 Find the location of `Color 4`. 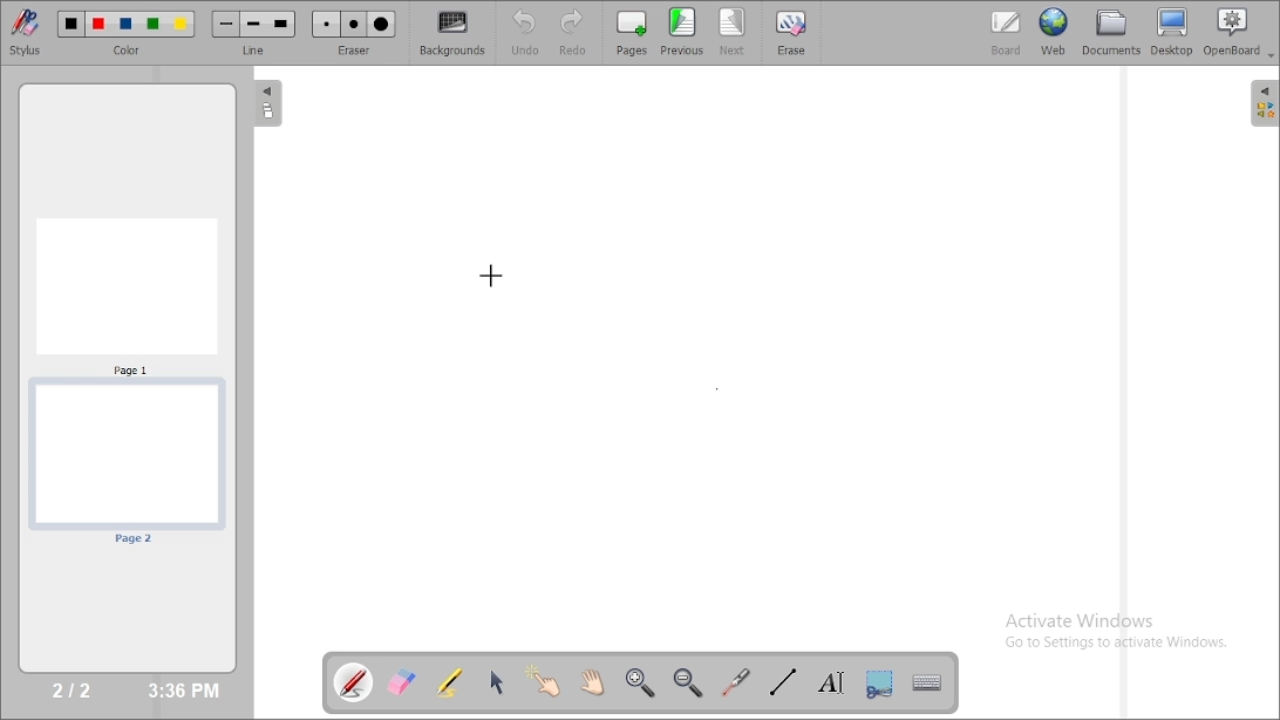

Color 4 is located at coordinates (153, 25).